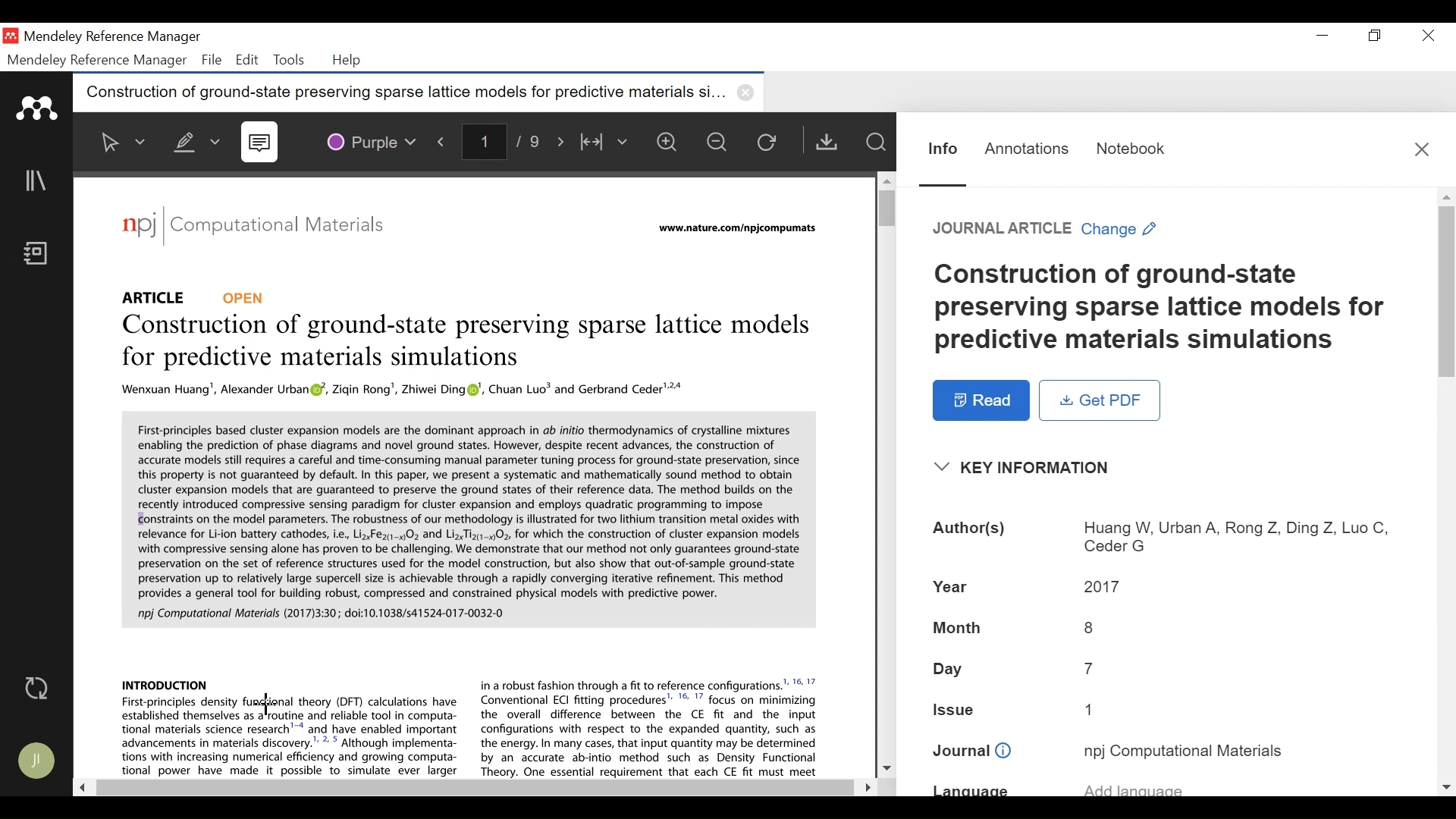 The height and width of the screenshot is (819, 1456). Describe the element at coordinates (1047, 230) in the screenshot. I see `Change Reference type` at that location.